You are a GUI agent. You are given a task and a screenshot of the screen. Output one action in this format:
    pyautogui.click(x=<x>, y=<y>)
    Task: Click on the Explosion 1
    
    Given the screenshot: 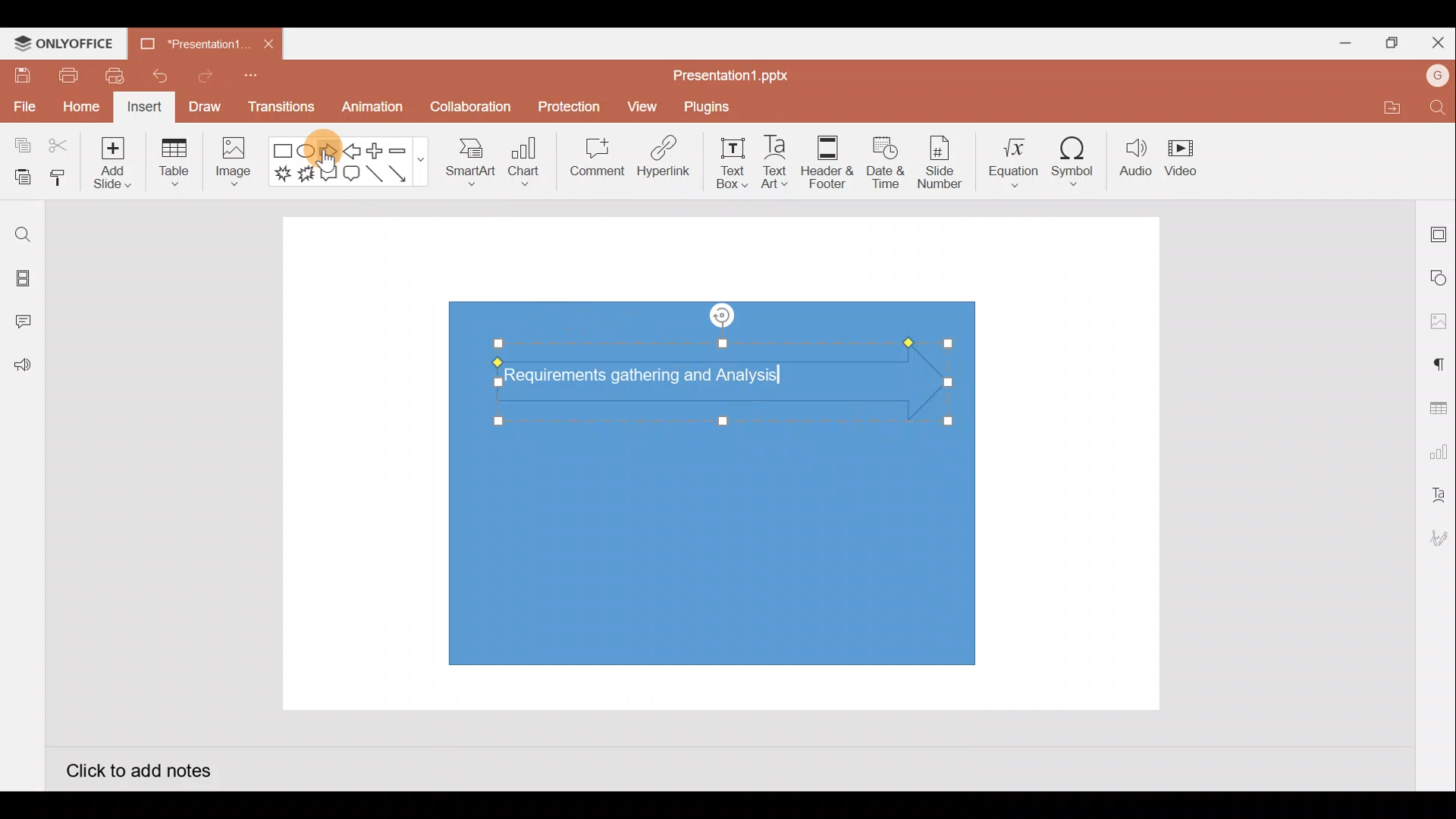 What is the action you would take?
    pyautogui.click(x=283, y=173)
    